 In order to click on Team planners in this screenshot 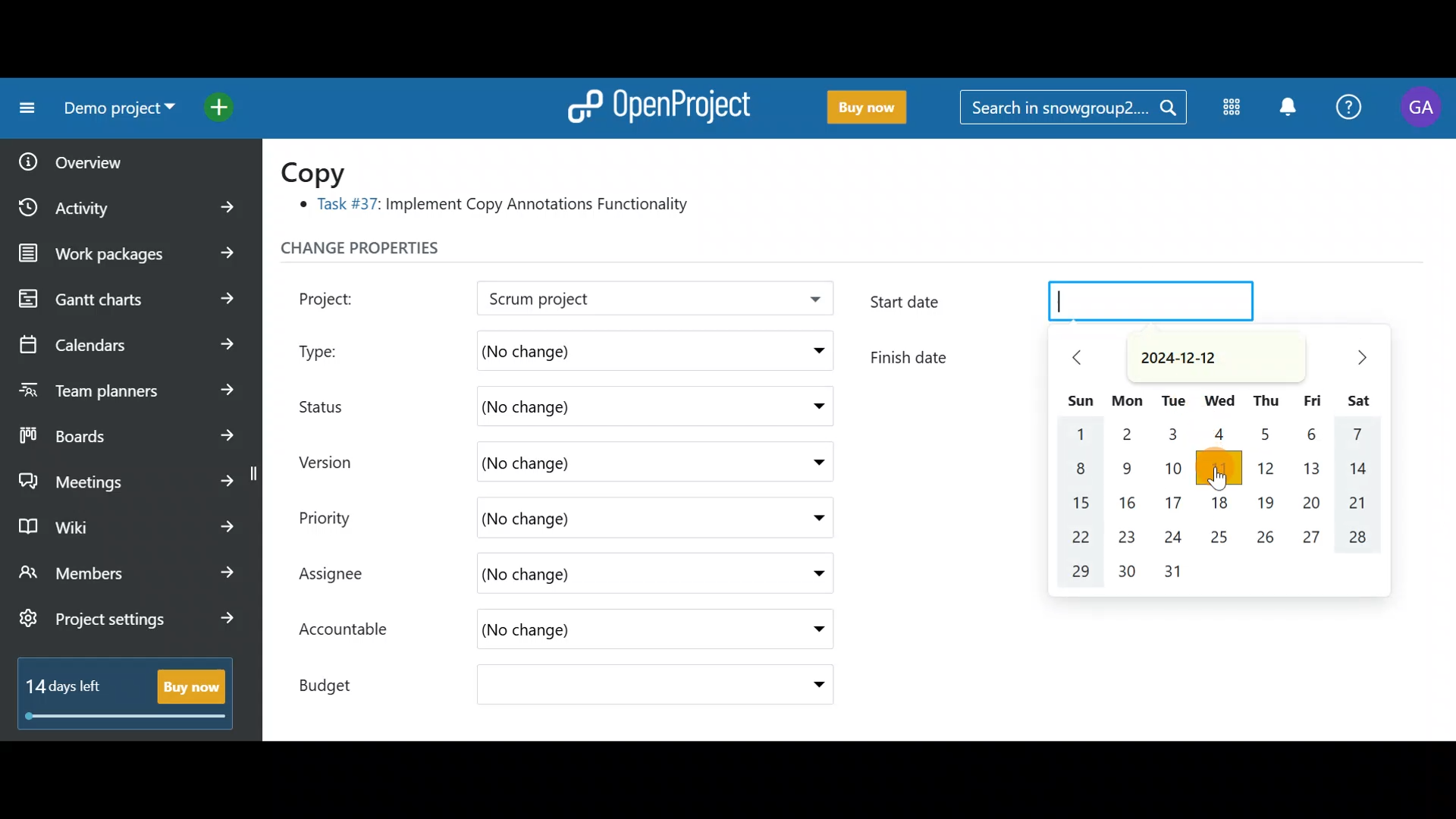, I will do `click(124, 385)`.